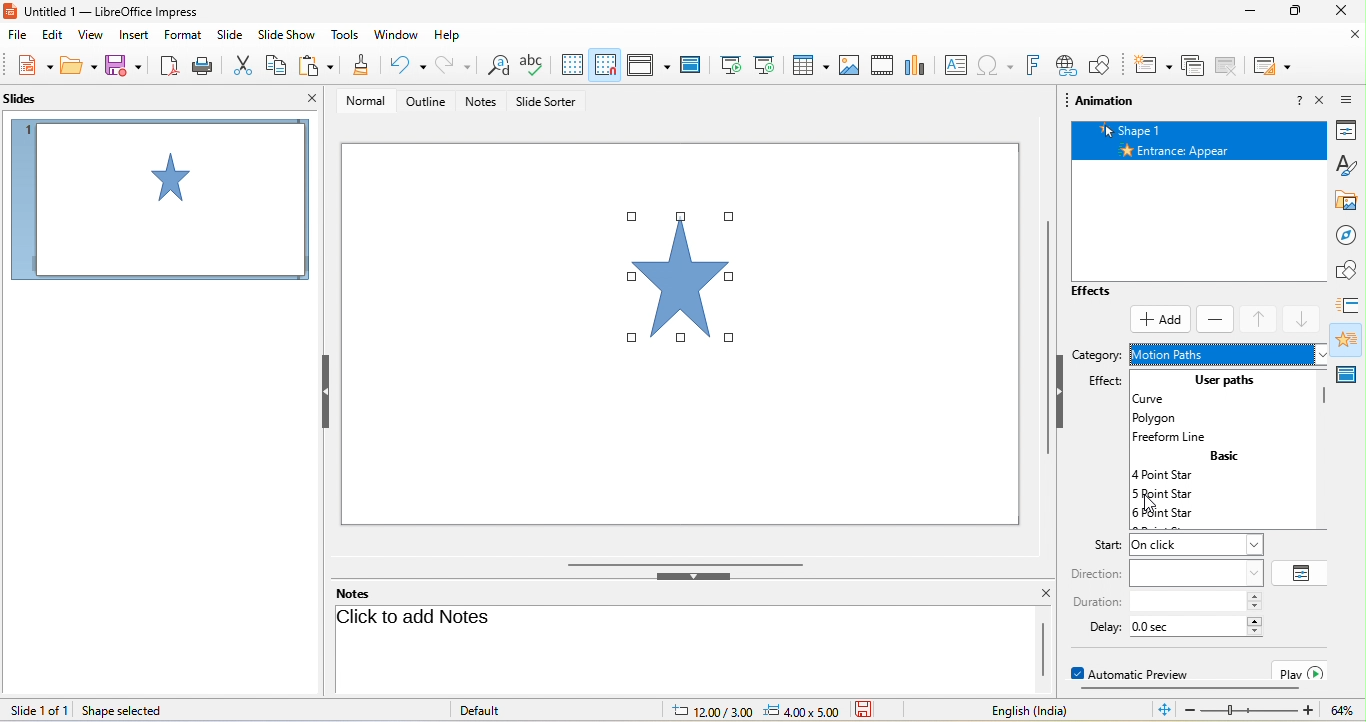  What do you see at coordinates (1164, 711) in the screenshot?
I see `fit slide to current window` at bounding box center [1164, 711].